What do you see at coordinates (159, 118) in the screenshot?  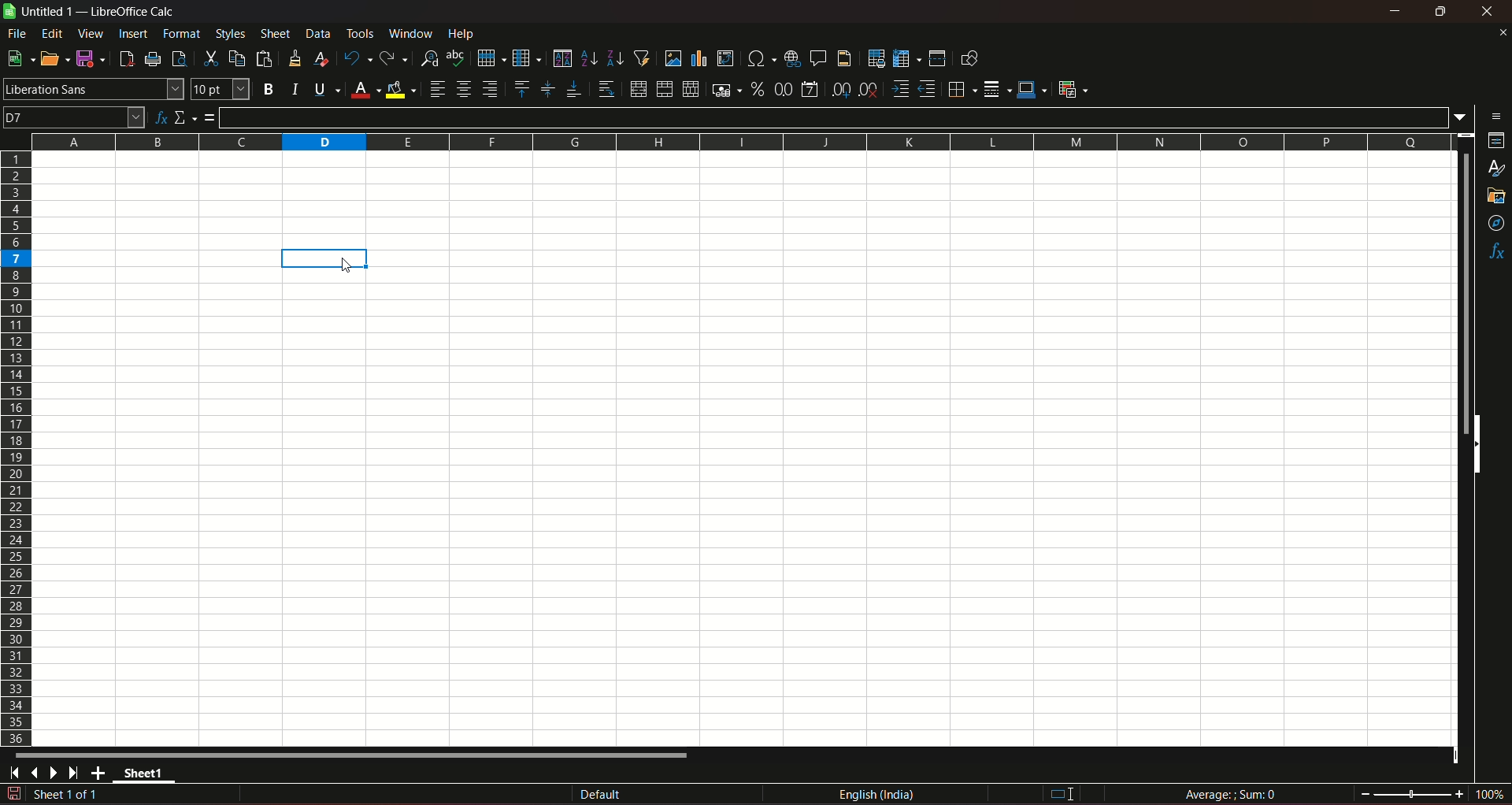 I see `function wizard` at bounding box center [159, 118].